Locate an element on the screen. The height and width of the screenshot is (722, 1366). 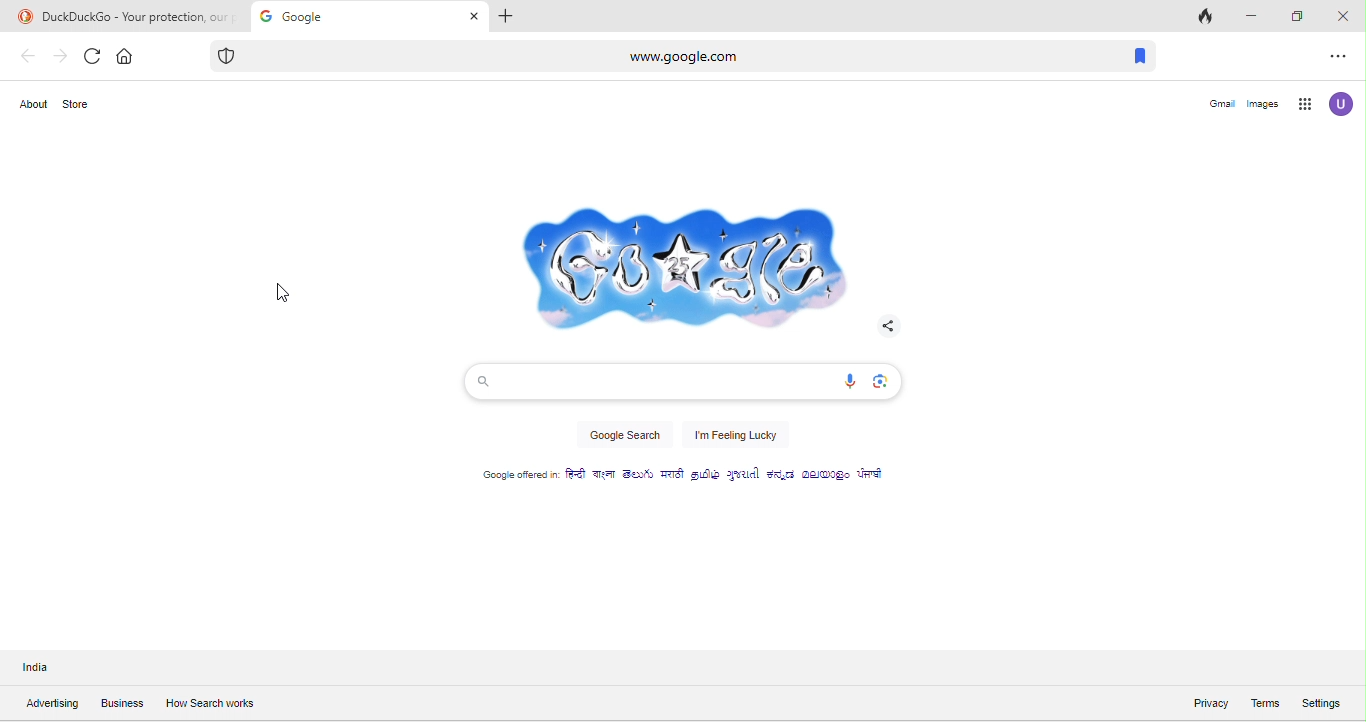
i'm feeling lucky is located at coordinates (736, 437).